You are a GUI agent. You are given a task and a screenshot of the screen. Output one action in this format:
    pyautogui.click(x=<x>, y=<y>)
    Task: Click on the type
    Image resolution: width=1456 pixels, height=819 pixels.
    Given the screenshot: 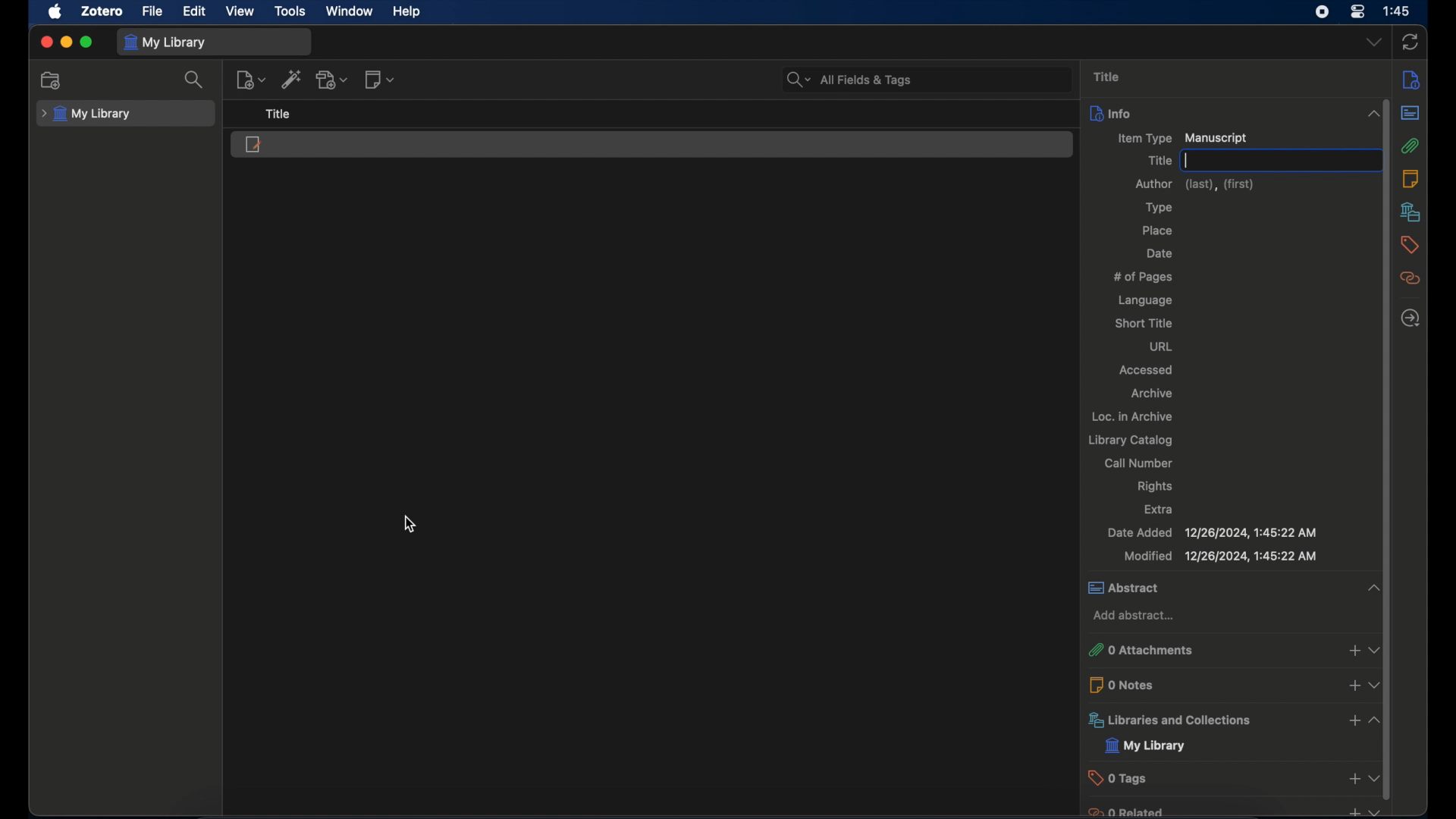 What is the action you would take?
    pyautogui.click(x=1159, y=208)
    